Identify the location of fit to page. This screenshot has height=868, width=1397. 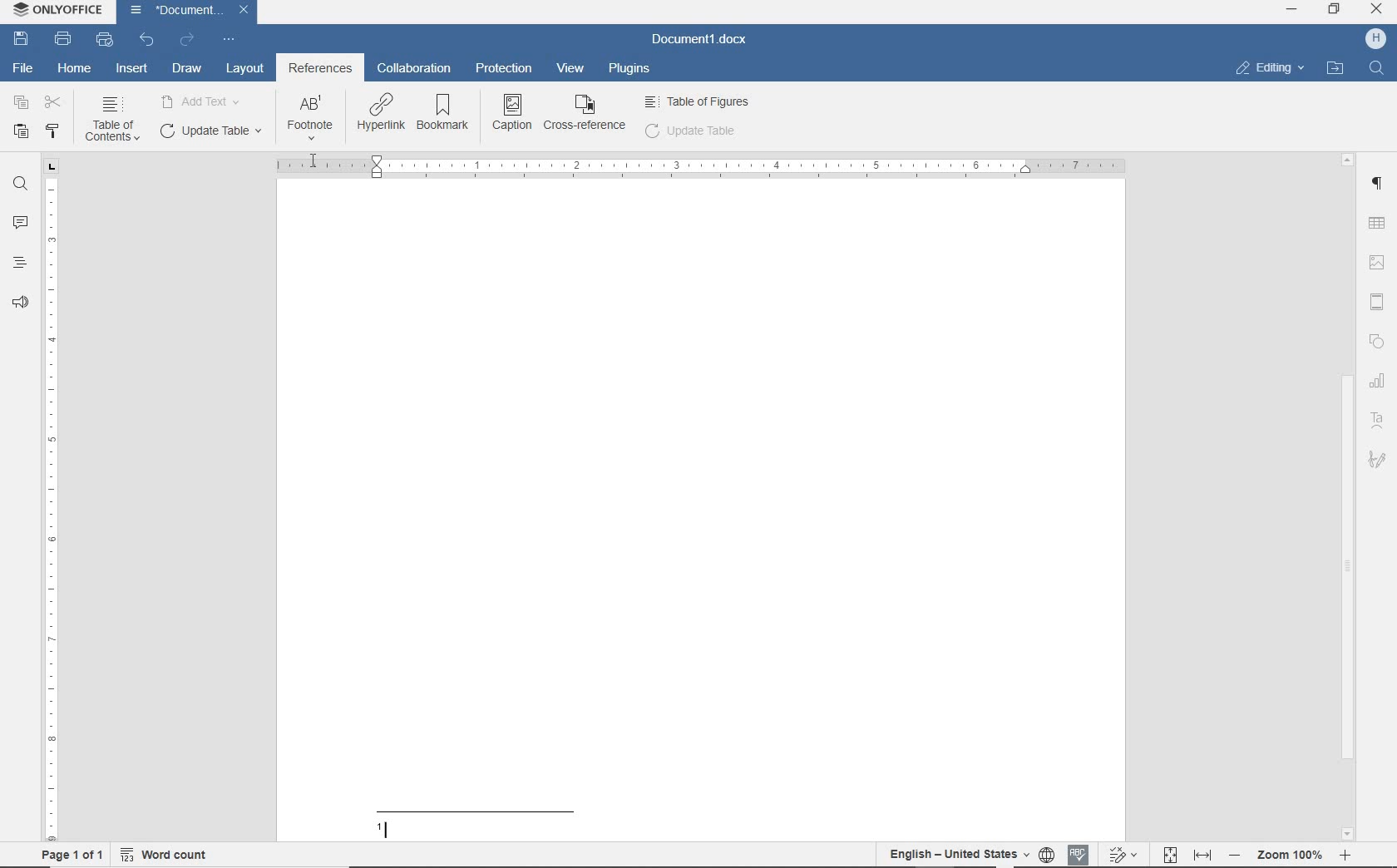
(1171, 856).